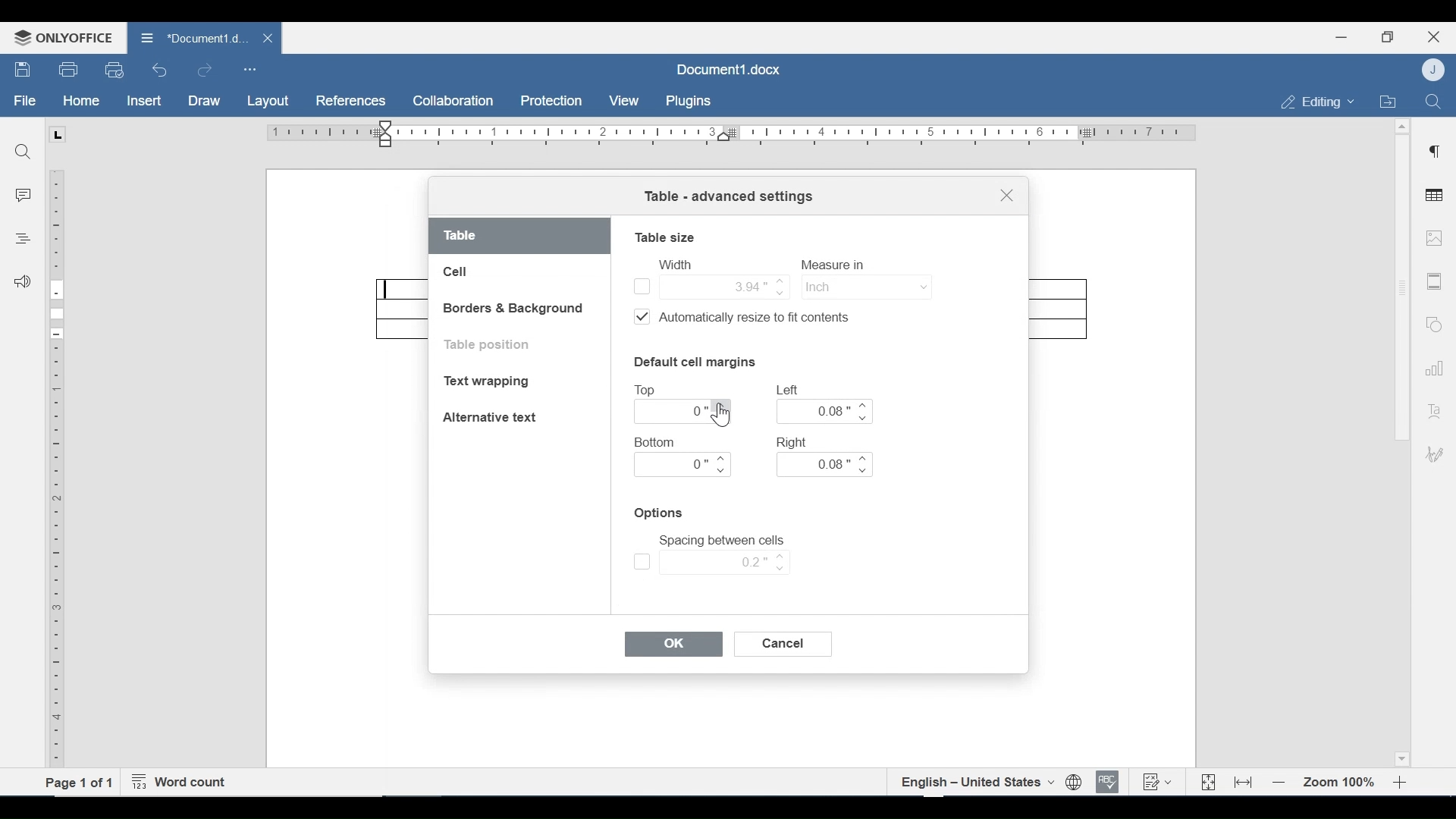  What do you see at coordinates (24, 197) in the screenshot?
I see `Comment` at bounding box center [24, 197].